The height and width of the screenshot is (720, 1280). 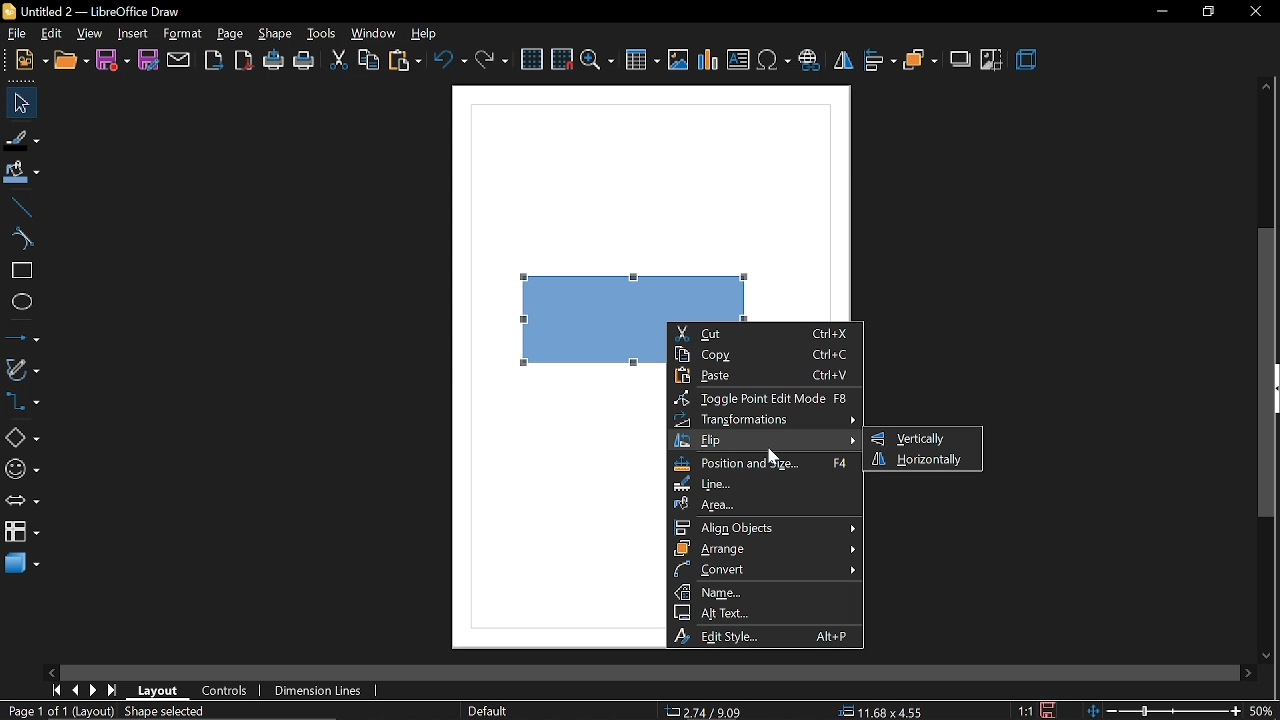 What do you see at coordinates (766, 353) in the screenshot?
I see `copy` at bounding box center [766, 353].